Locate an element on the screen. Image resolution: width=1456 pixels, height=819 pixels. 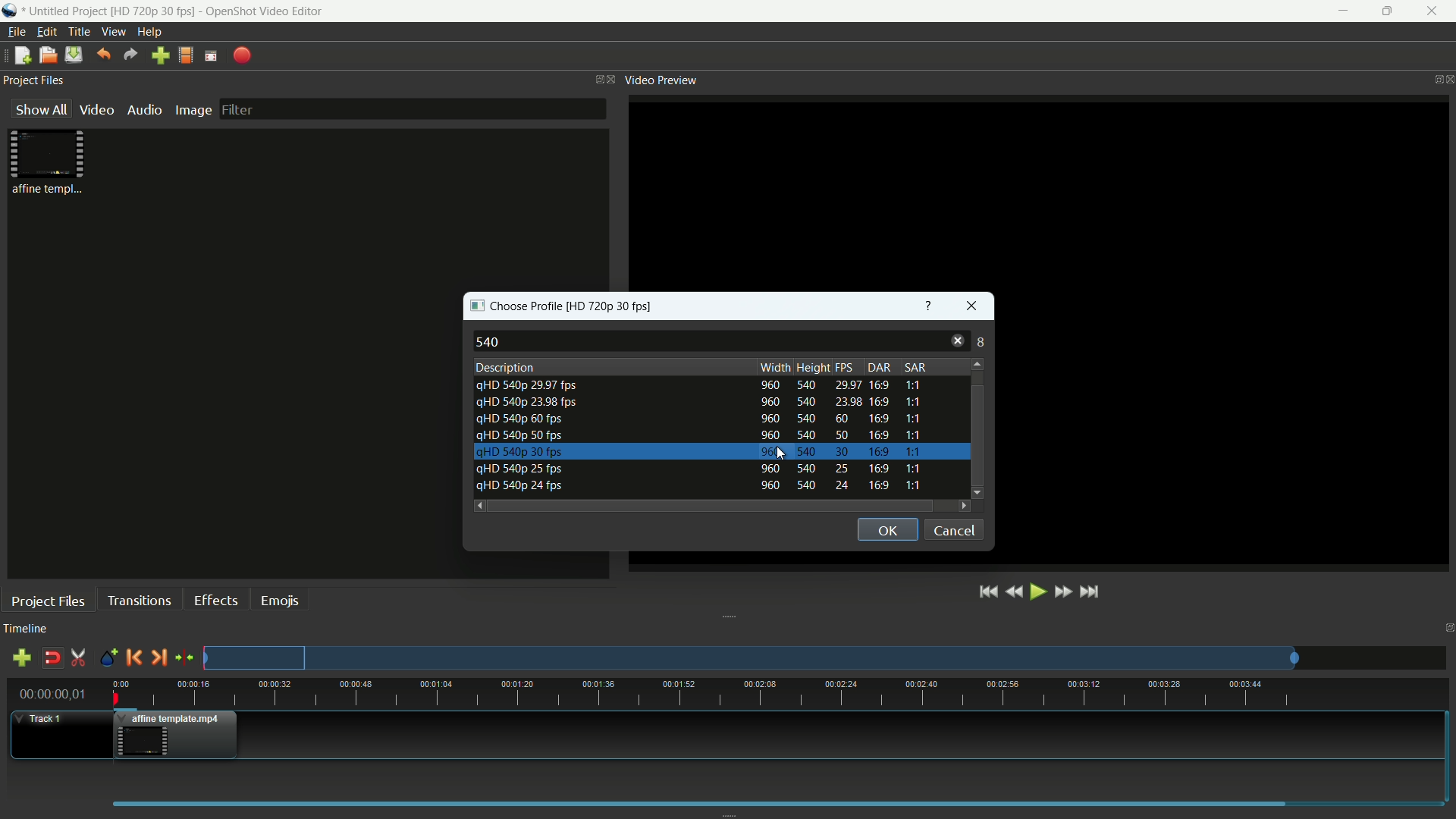
import file is located at coordinates (161, 55).